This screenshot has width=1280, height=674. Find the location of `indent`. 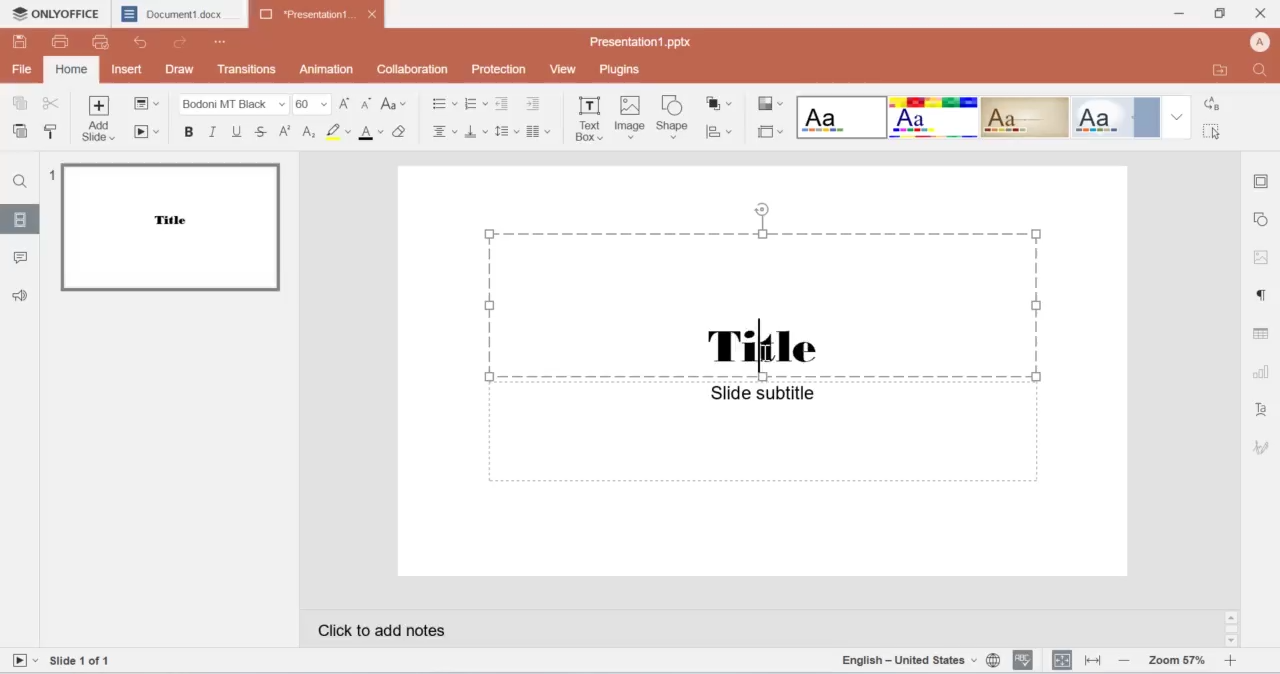

indent is located at coordinates (537, 105).